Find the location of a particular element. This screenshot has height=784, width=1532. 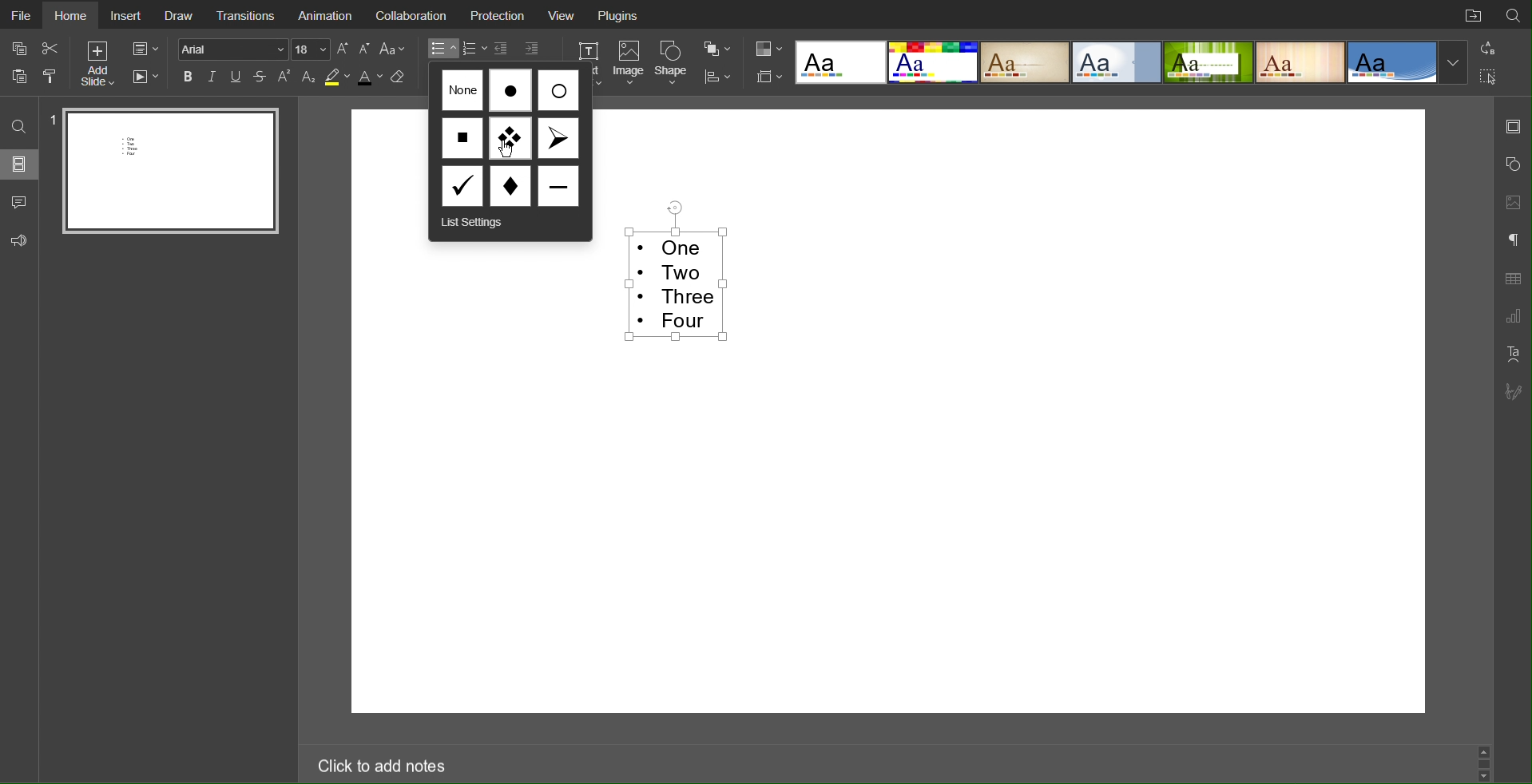

Comment is located at coordinates (20, 202).